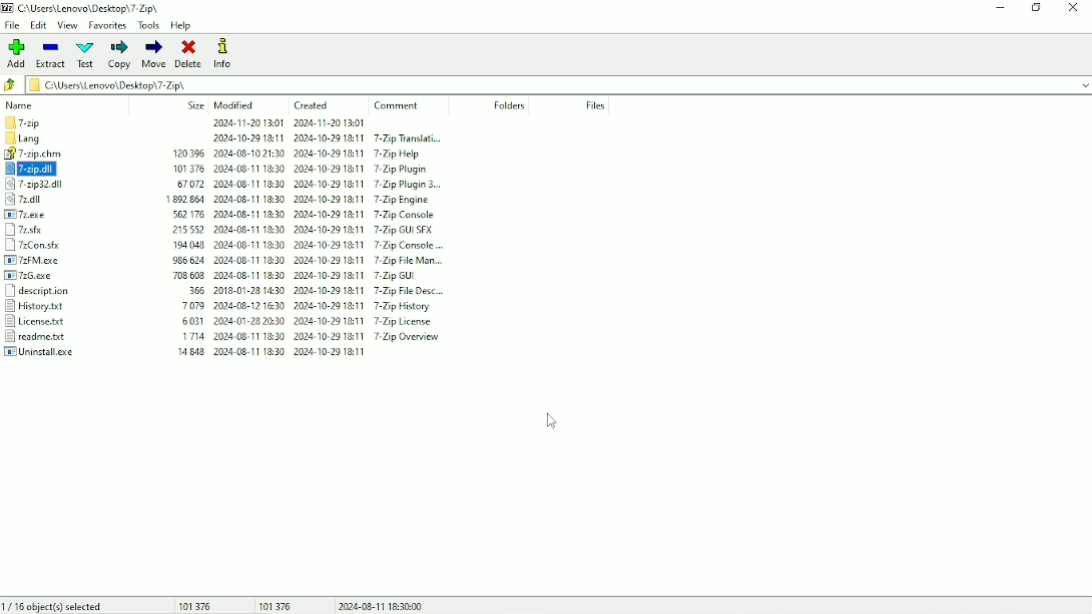 This screenshot has width=1092, height=614. I want to click on Lang, so click(44, 141).